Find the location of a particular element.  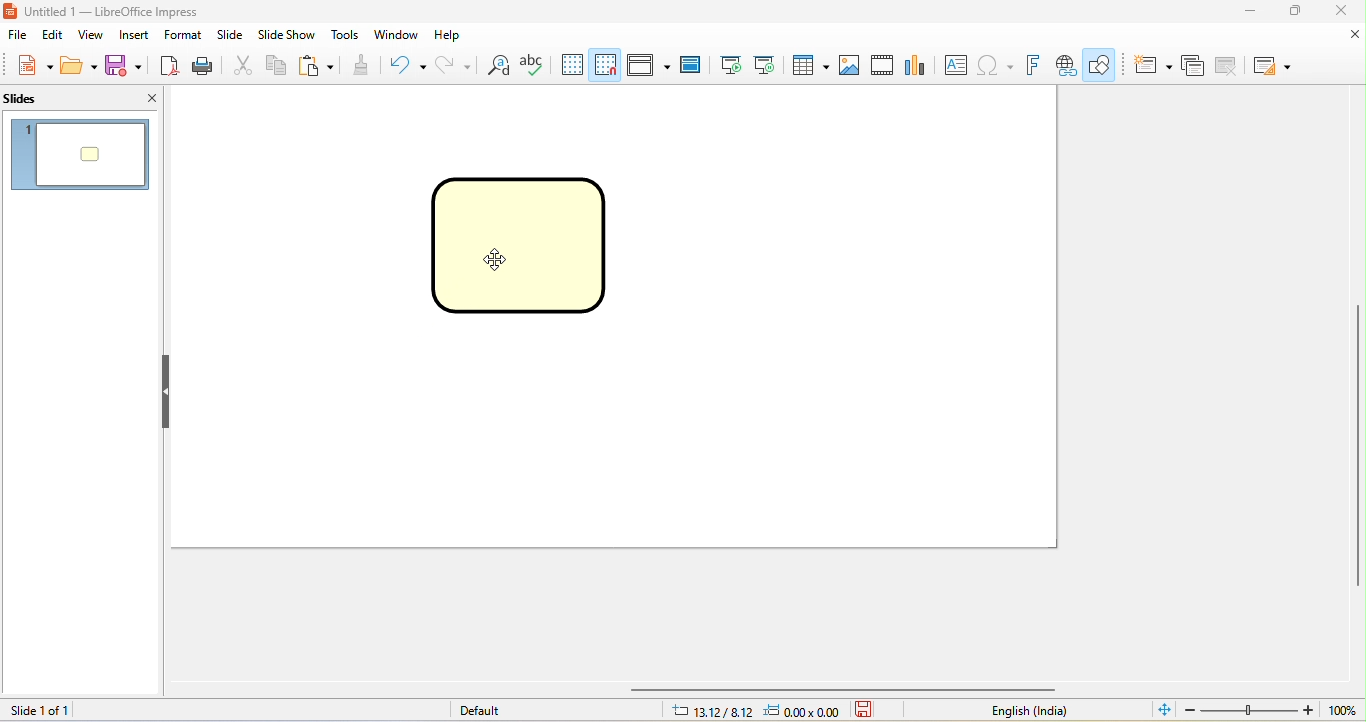

horizontal scroll bar is located at coordinates (848, 690).